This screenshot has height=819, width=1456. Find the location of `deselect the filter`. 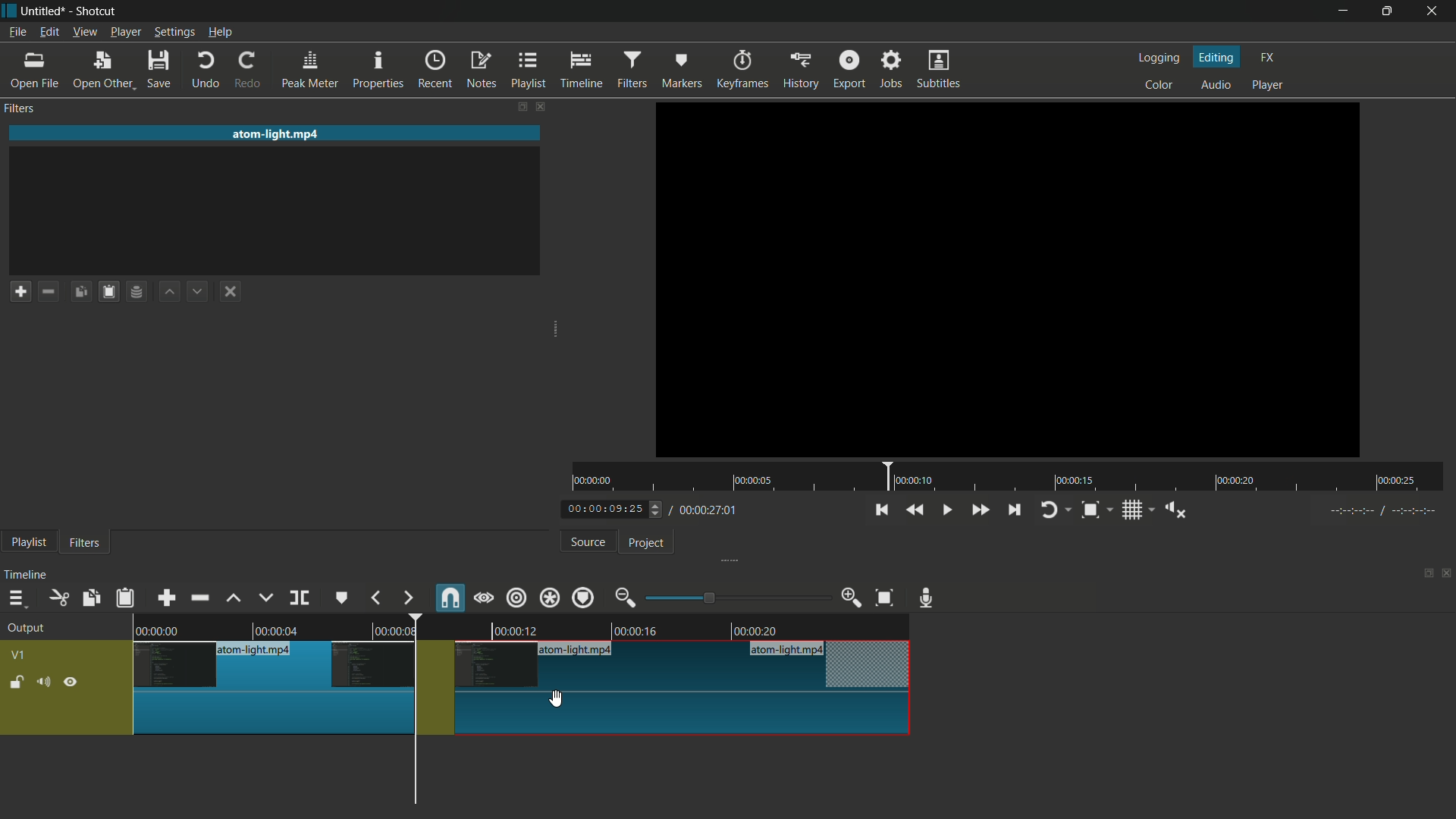

deselect the filter is located at coordinates (234, 292).